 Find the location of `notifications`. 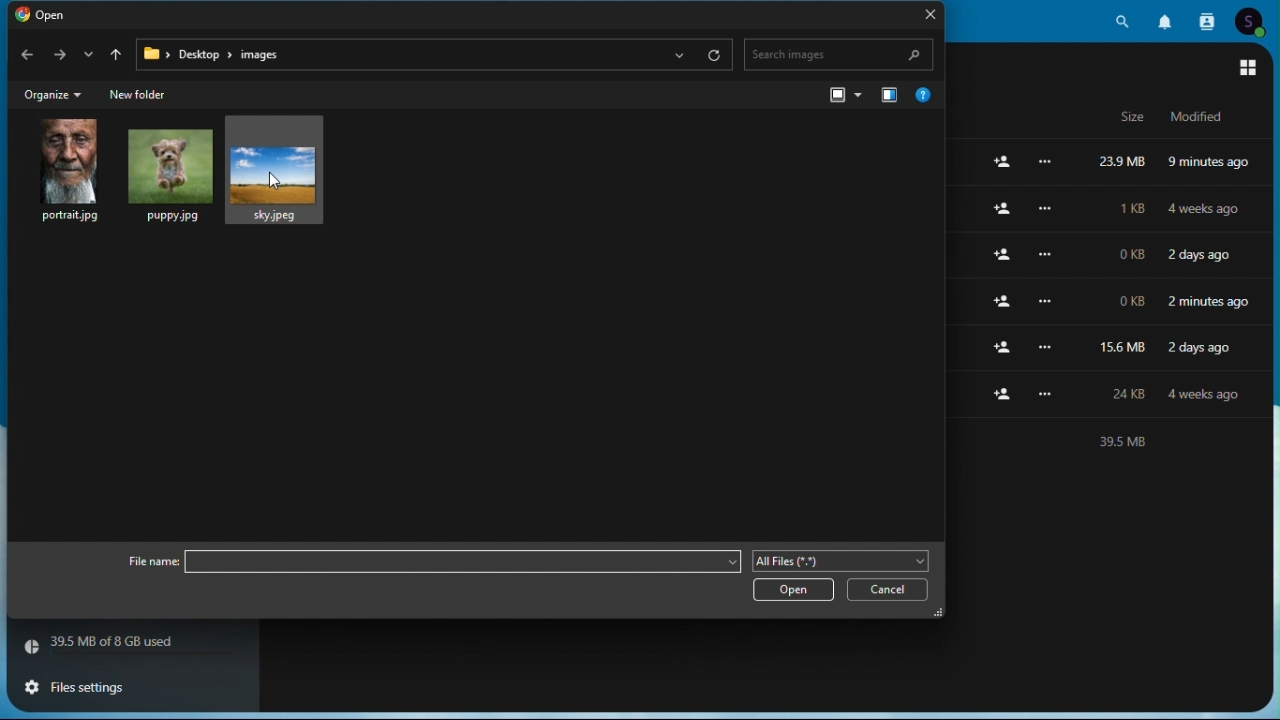

notifications is located at coordinates (1169, 19).